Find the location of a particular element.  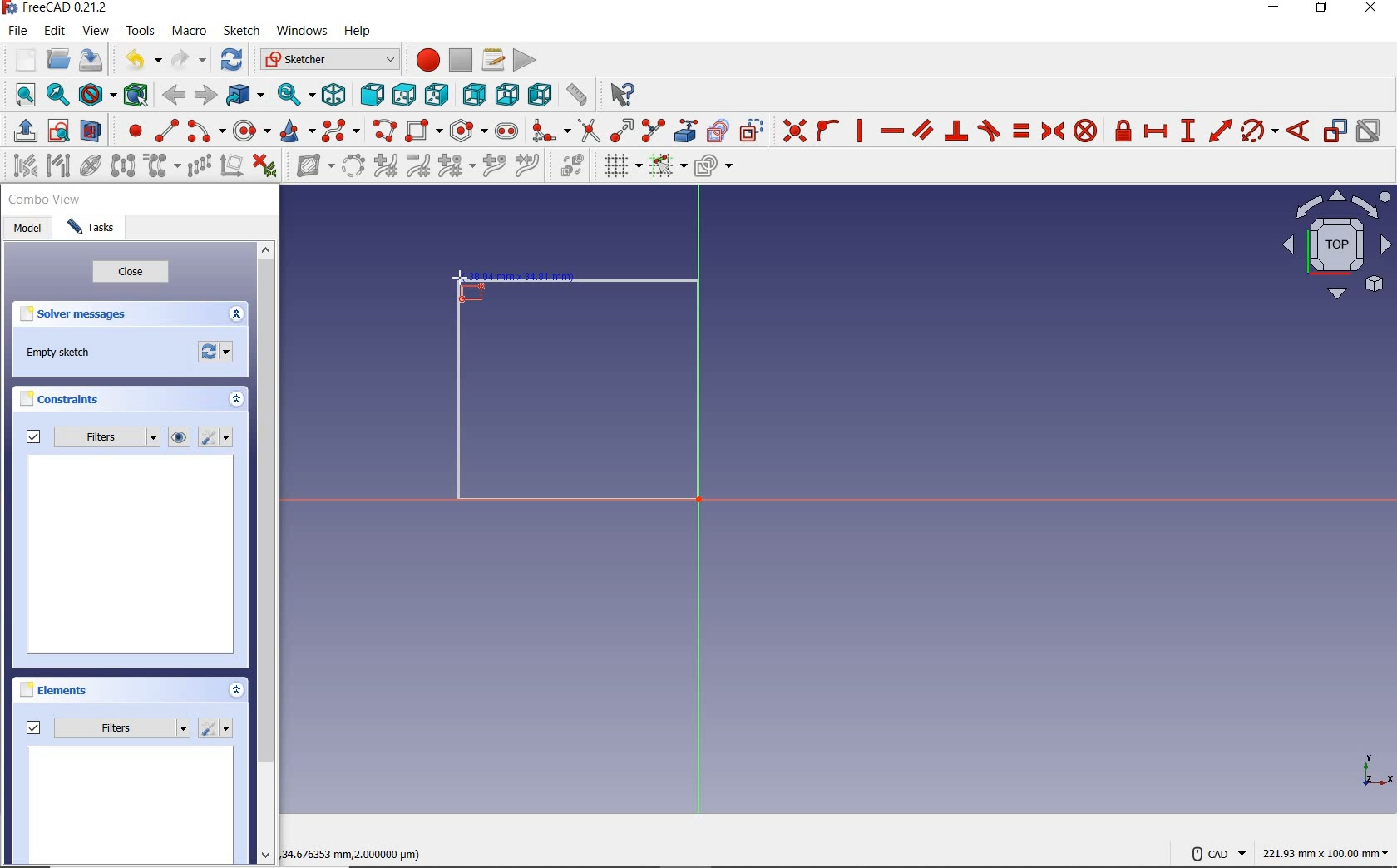

view sketch is located at coordinates (59, 131).